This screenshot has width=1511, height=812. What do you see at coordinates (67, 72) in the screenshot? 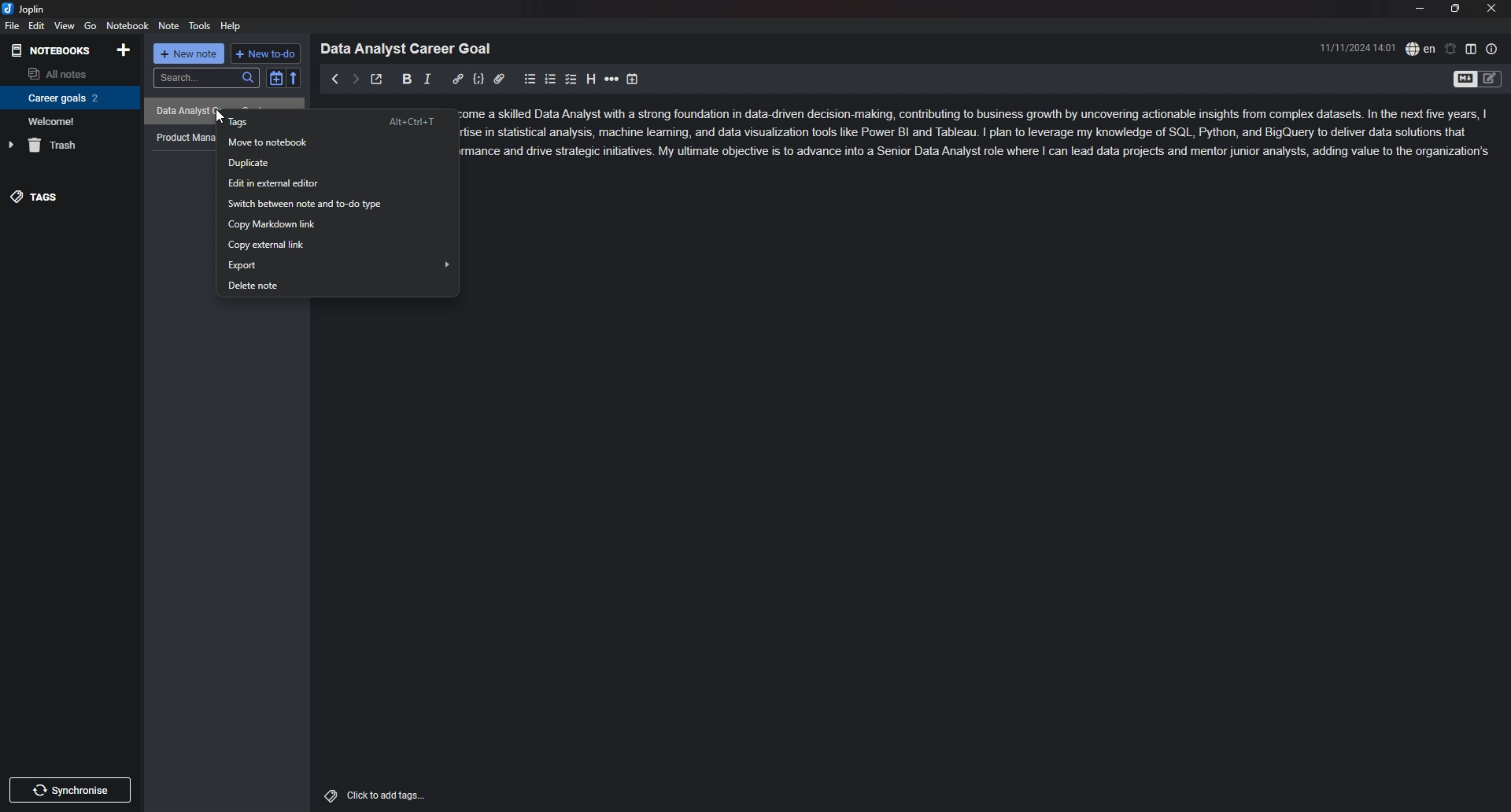
I see `all notes` at bounding box center [67, 72].